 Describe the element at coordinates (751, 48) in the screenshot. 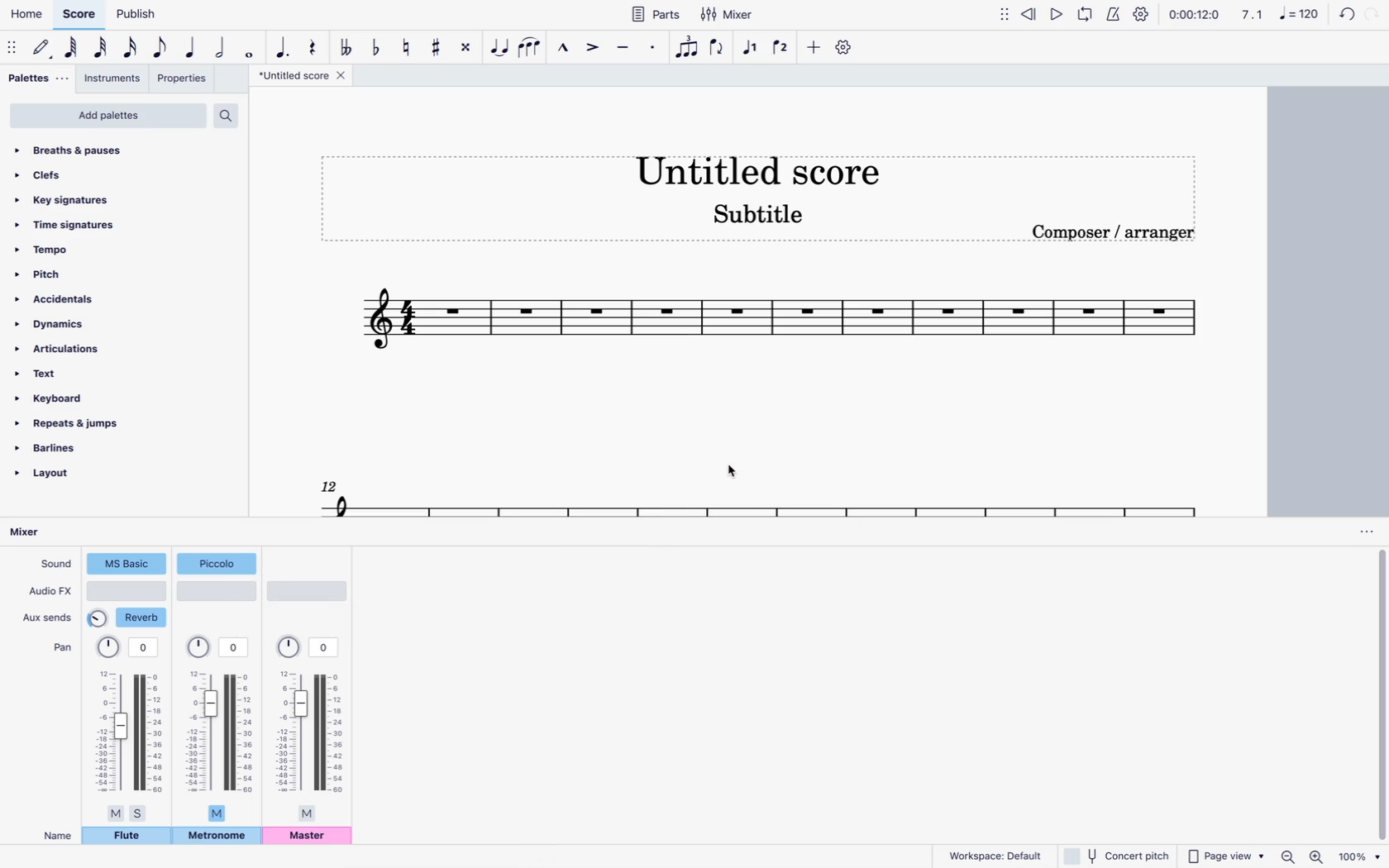

I see `voice 1` at that location.